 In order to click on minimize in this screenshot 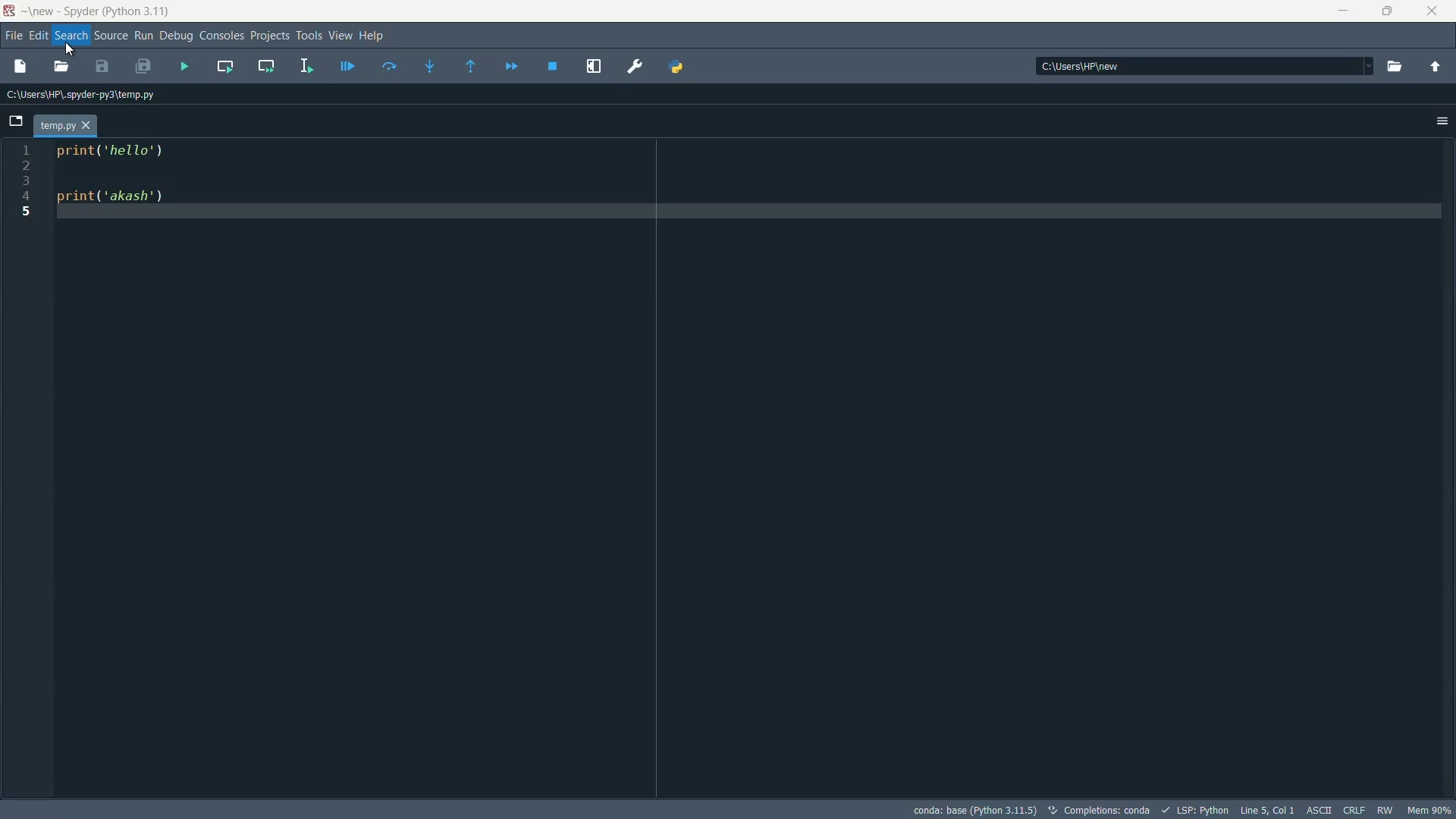, I will do `click(1341, 11)`.